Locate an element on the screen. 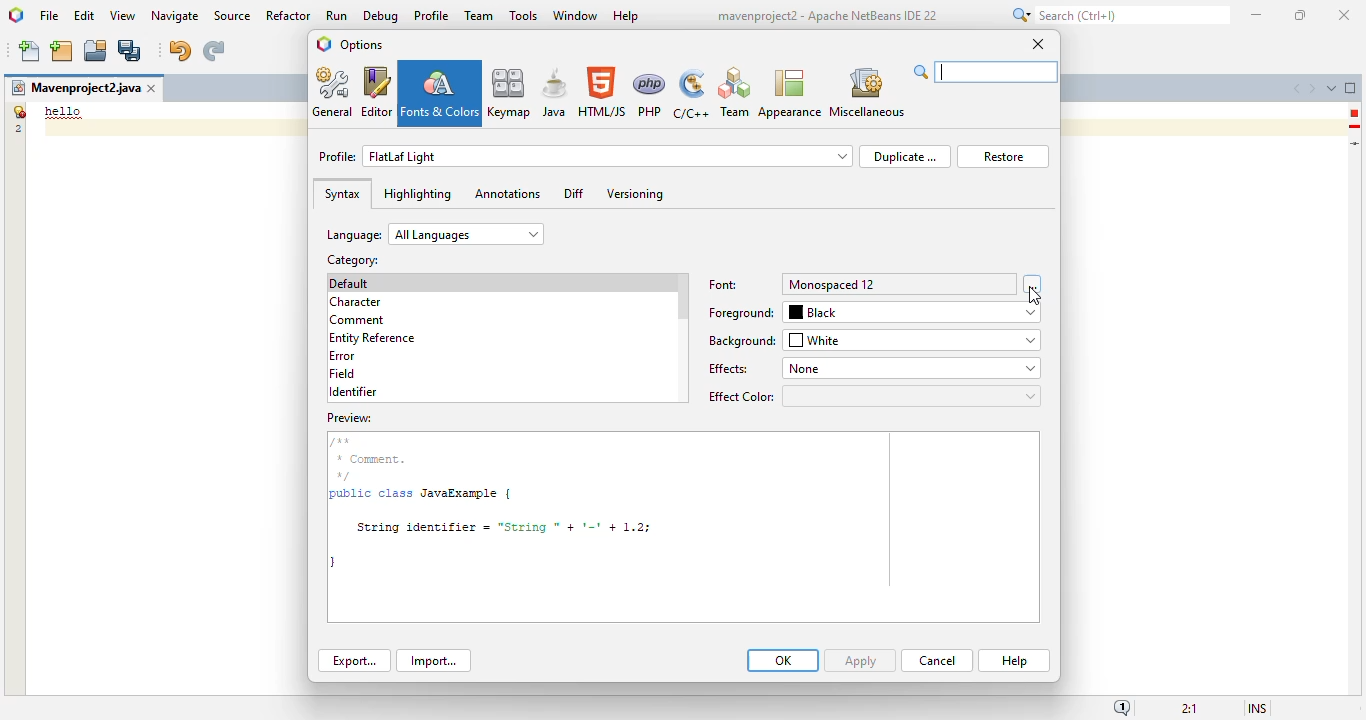 This screenshot has width=1366, height=720. redo is located at coordinates (213, 51).